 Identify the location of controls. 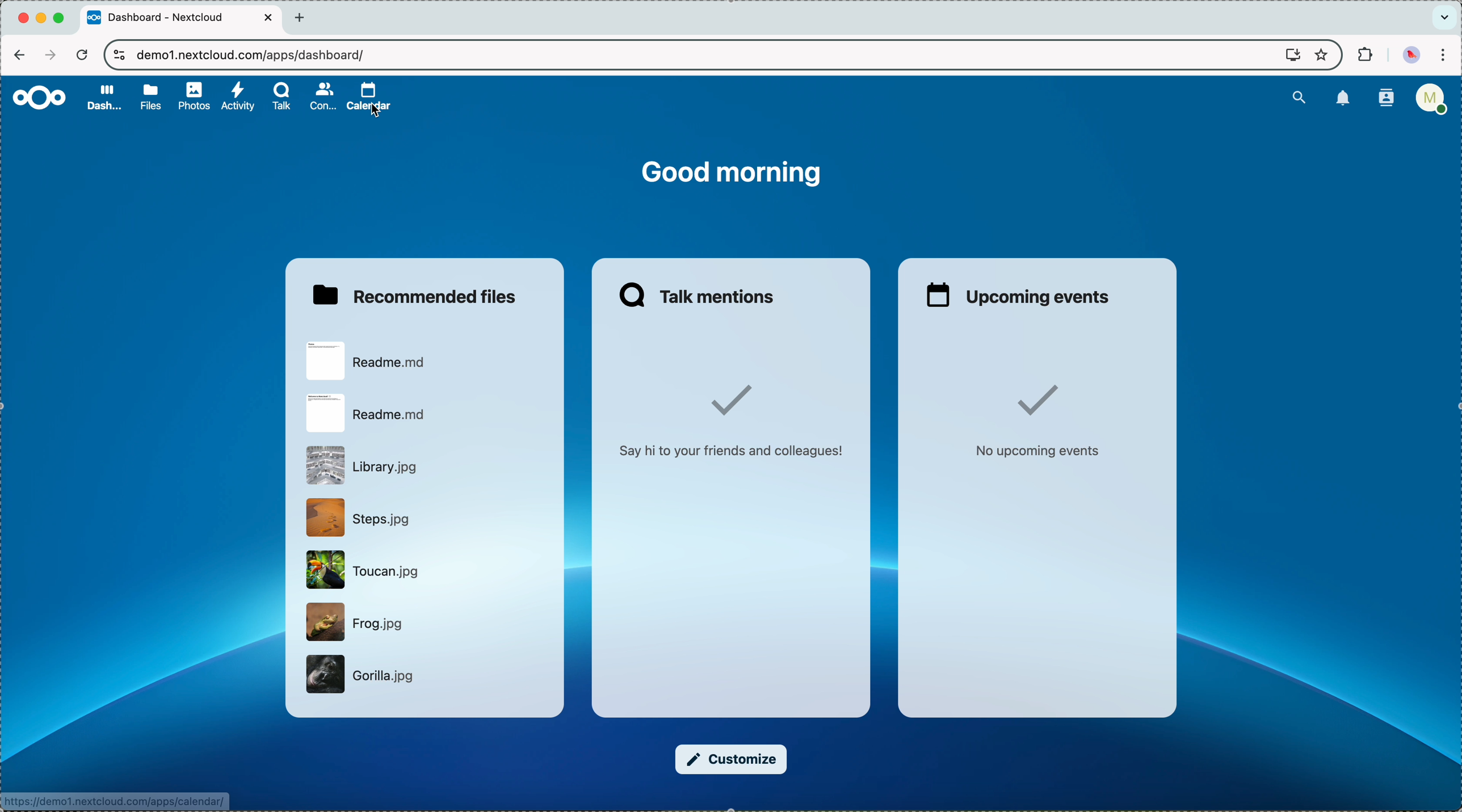
(120, 56).